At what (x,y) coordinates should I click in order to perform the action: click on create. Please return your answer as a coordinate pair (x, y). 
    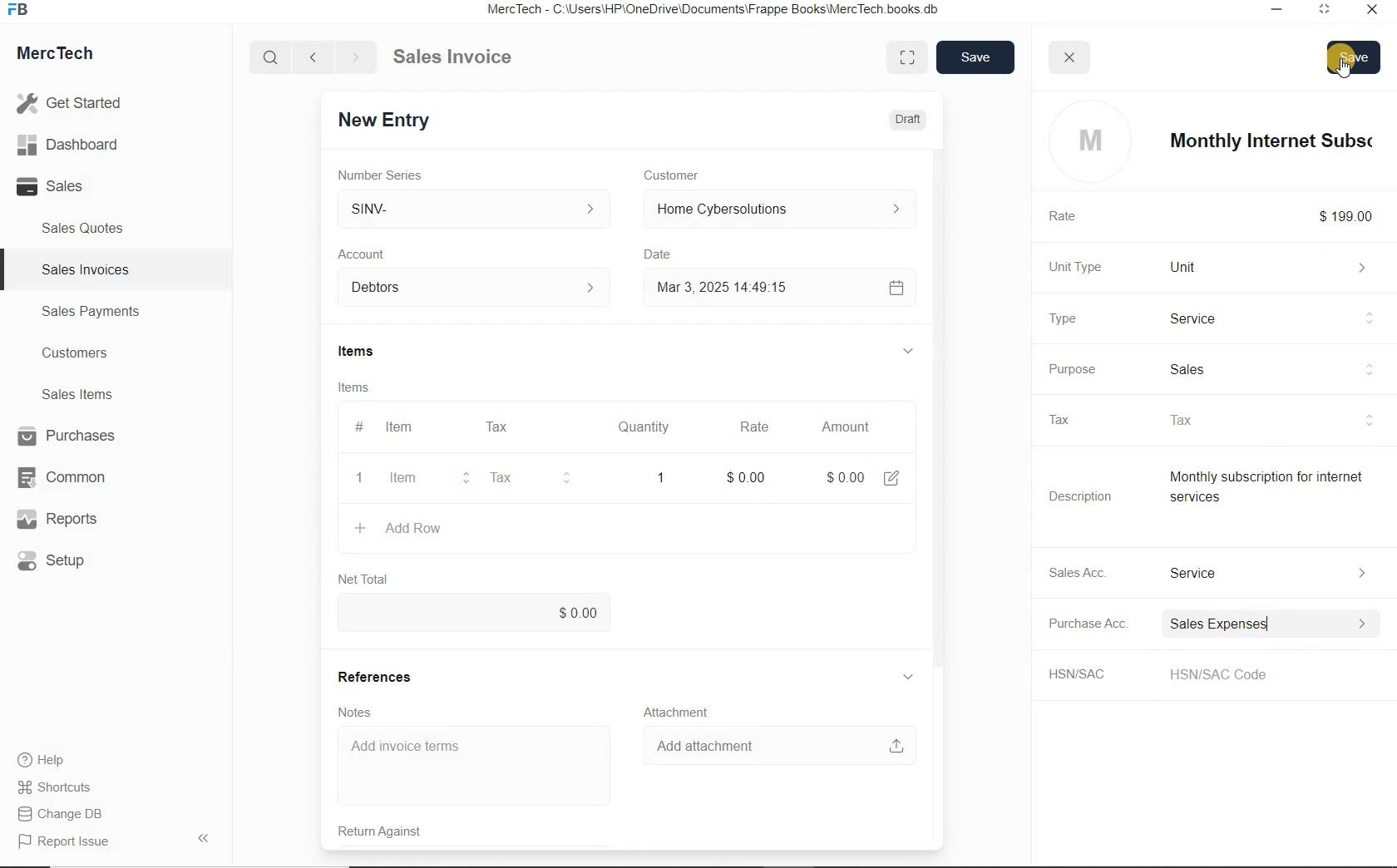
    Looking at the image, I should click on (353, 528).